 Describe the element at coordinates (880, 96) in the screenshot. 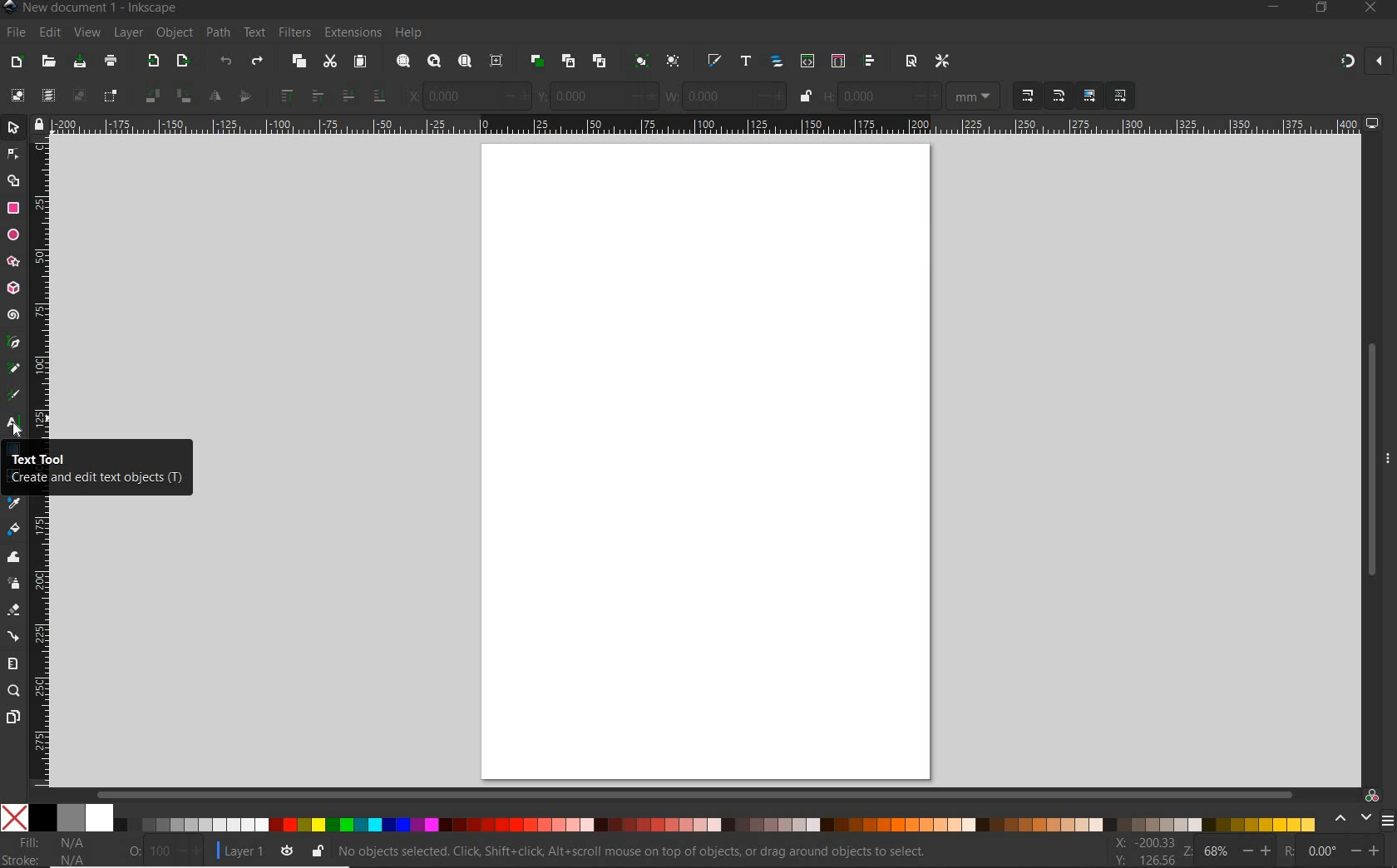

I see `height selection` at that location.